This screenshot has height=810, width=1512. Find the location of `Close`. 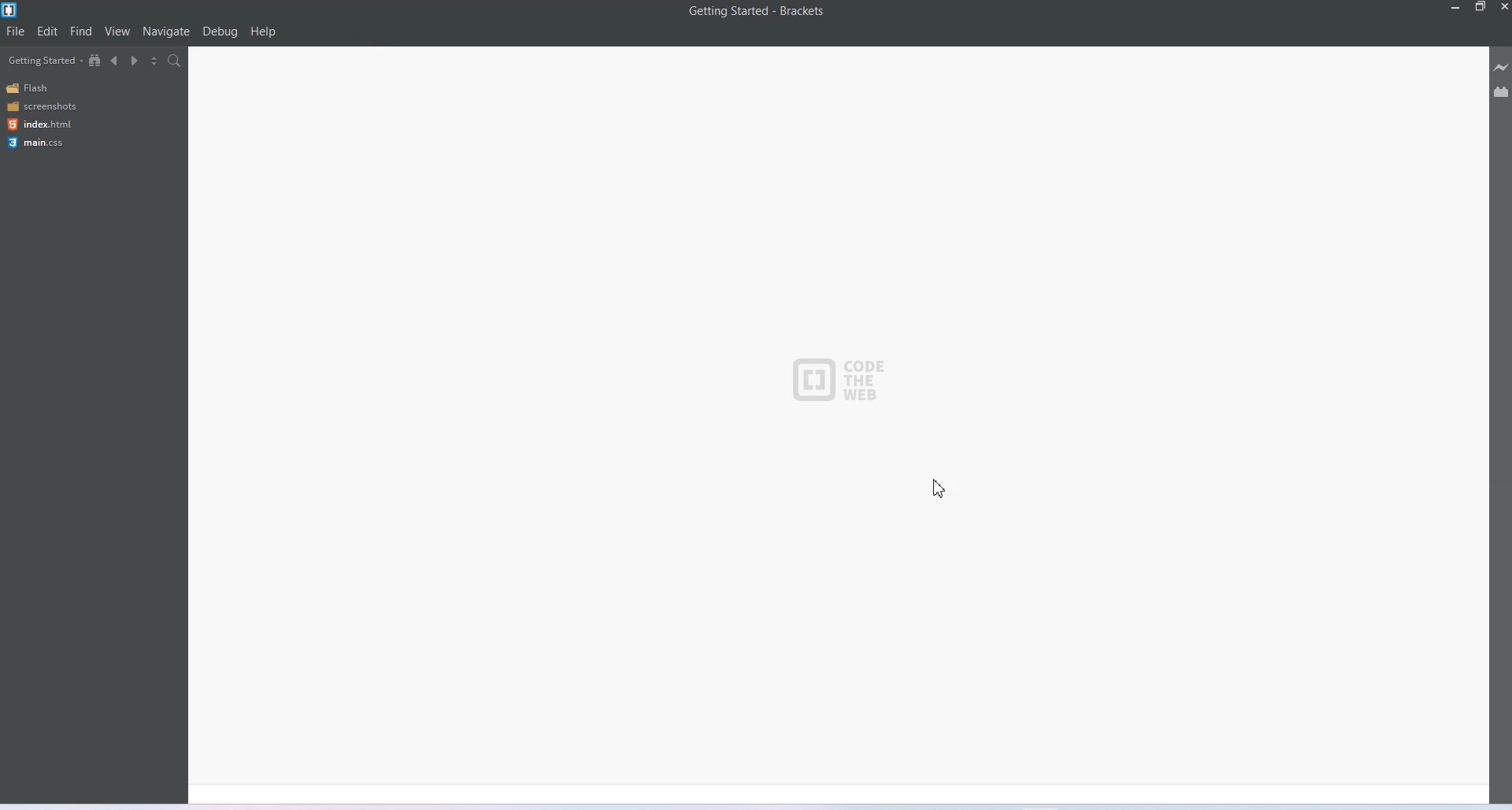

Close is located at coordinates (1503, 8).